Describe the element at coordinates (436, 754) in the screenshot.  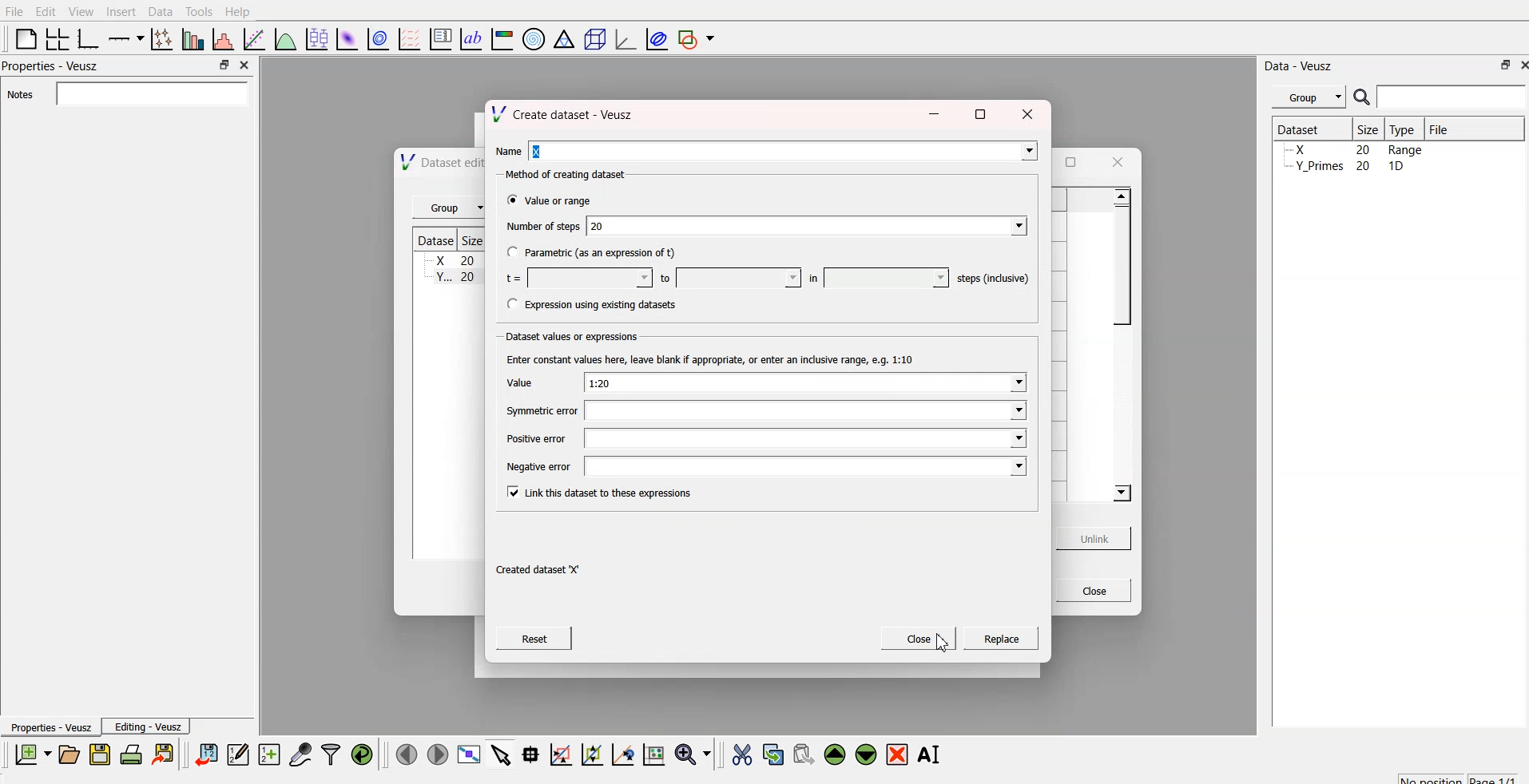
I see `move to the next page` at that location.